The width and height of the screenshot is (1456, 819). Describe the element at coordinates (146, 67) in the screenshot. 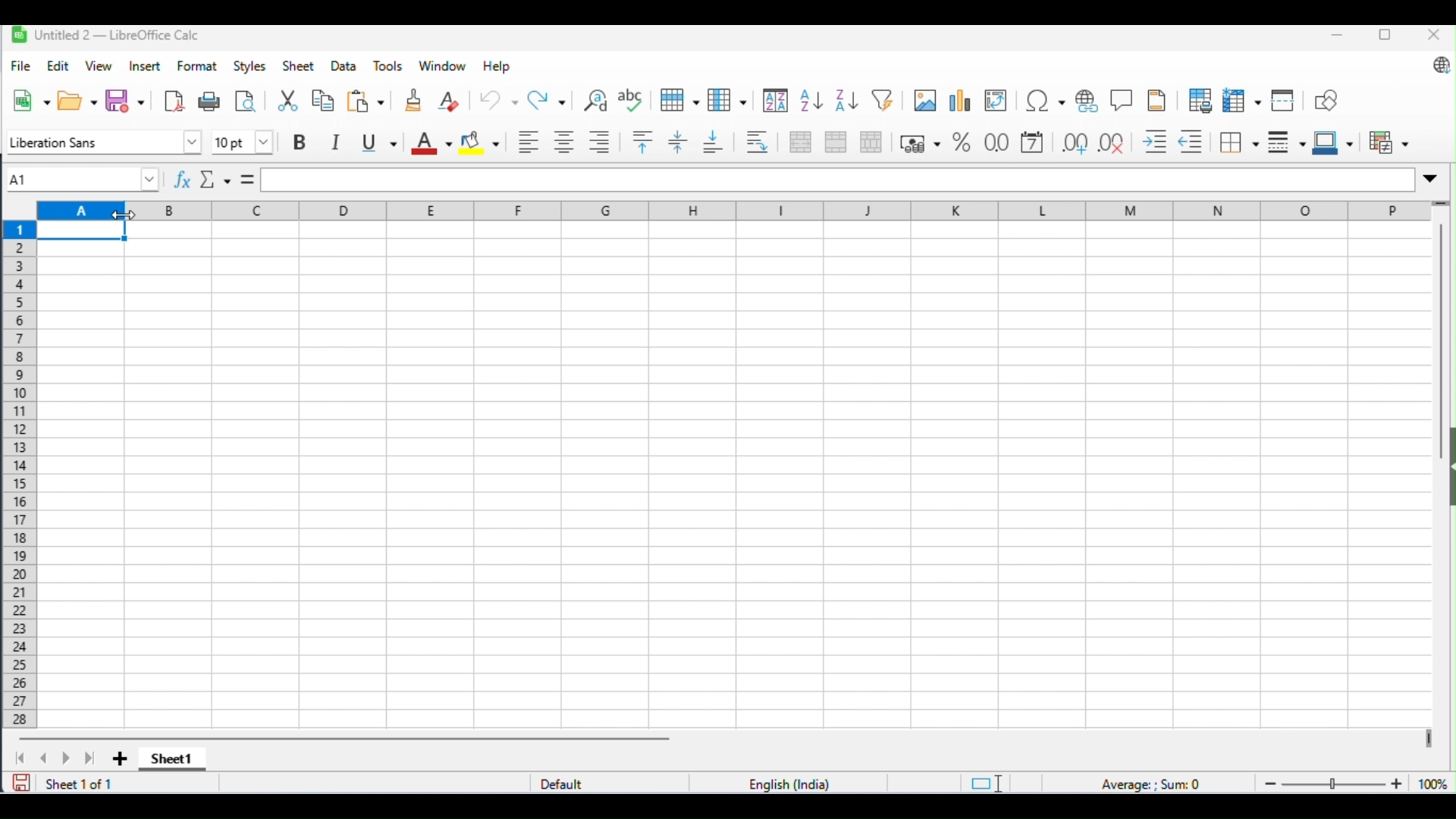

I see `insert` at that location.